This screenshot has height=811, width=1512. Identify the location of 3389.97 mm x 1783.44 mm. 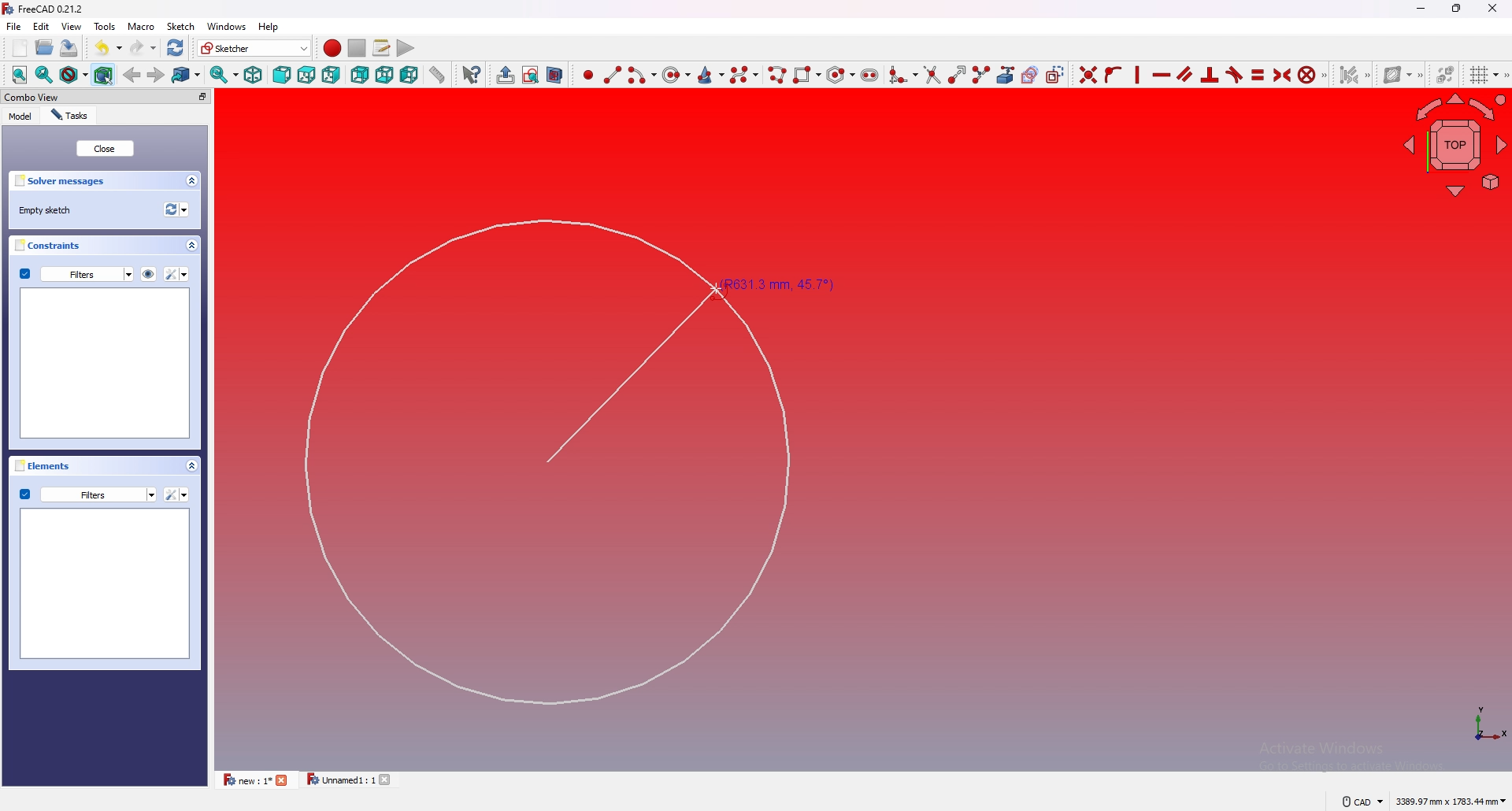
(1450, 801).